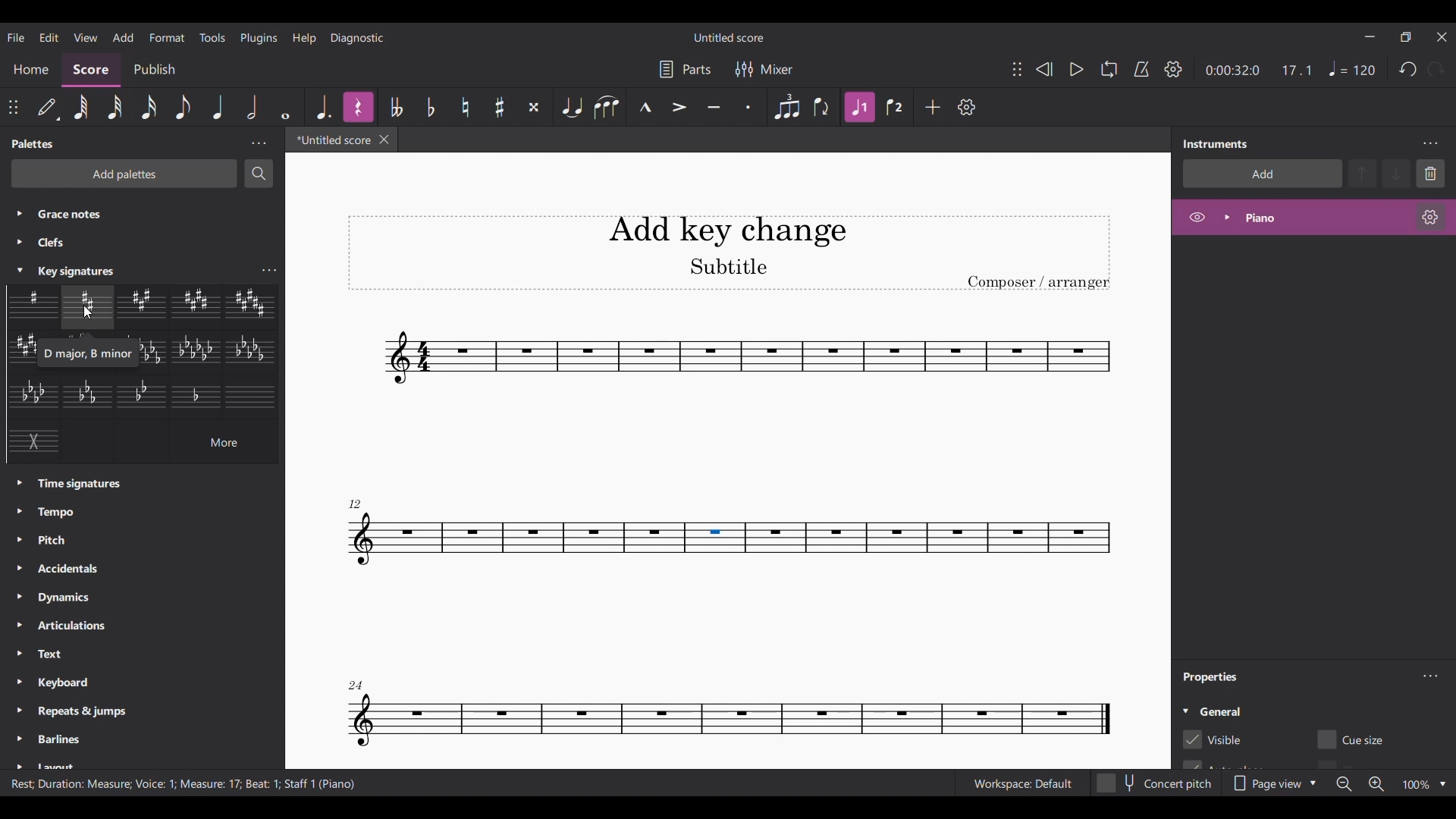 The width and height of the screenshot is (1456, 819). I want to click on Mixer, so click(763, 69).